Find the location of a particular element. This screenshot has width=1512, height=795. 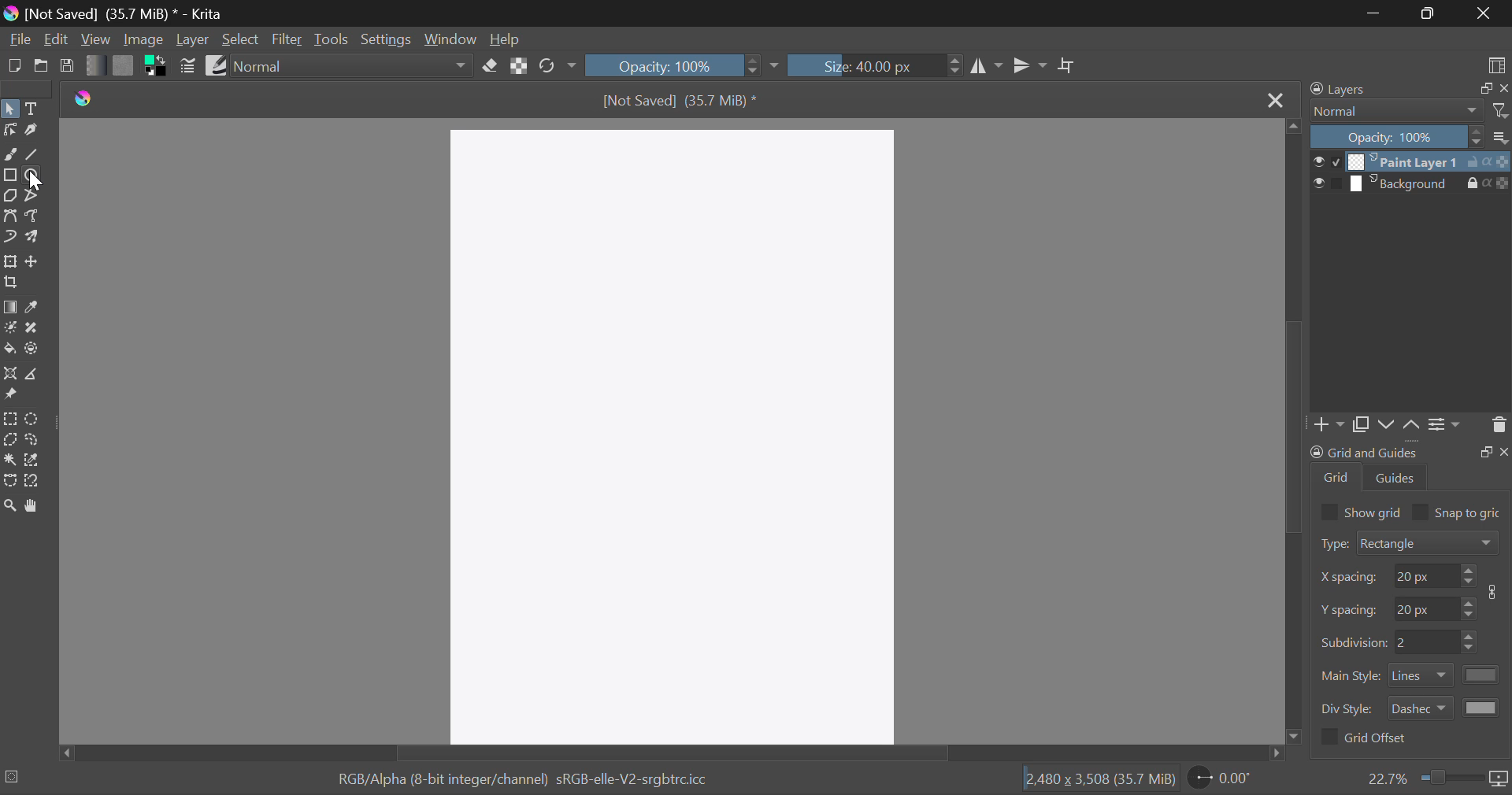

Circular Selection is located at coordinates (33, 418).